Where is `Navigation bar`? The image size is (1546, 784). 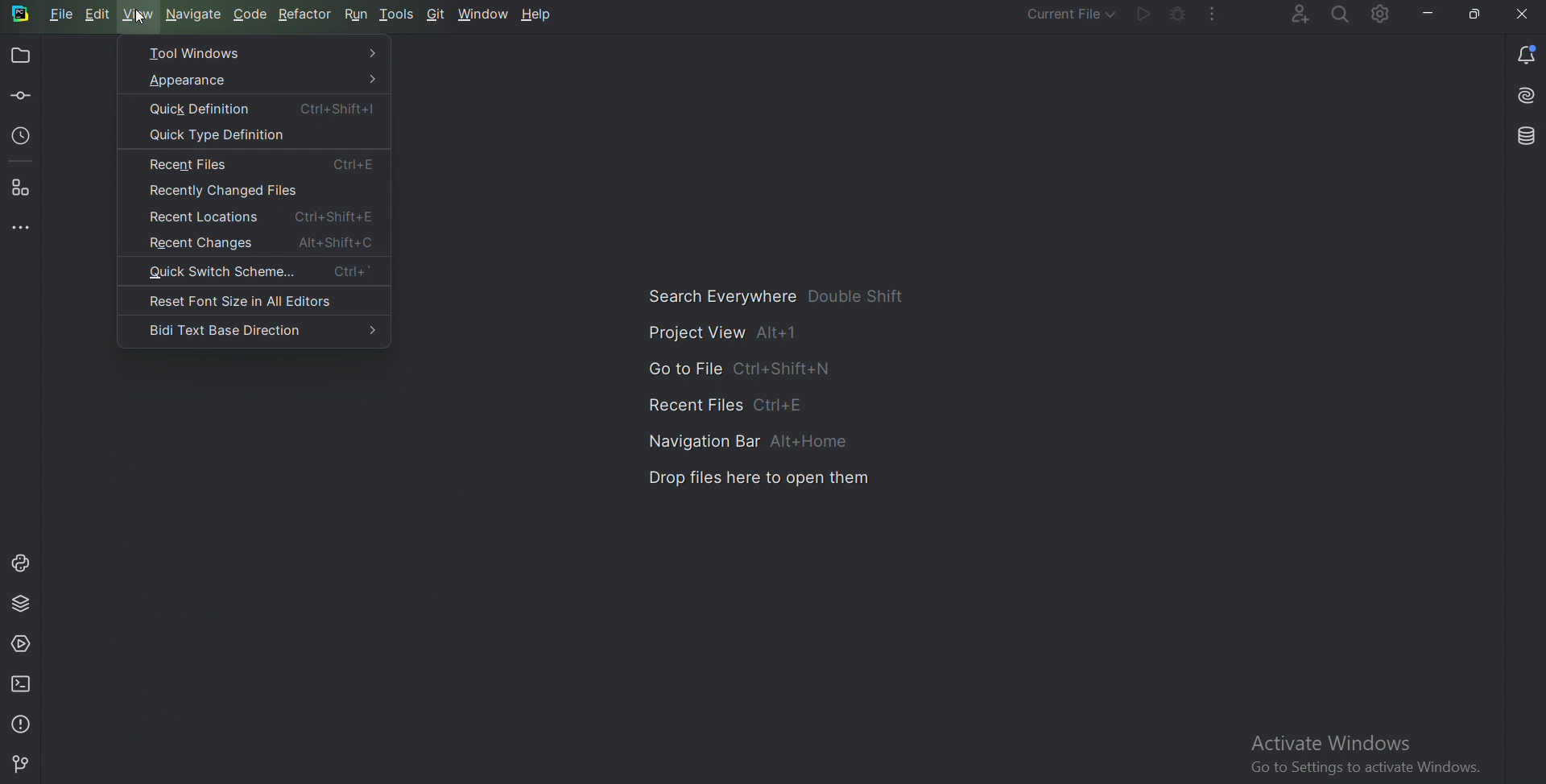 Navigation bar is located at coordinates (742, 438).